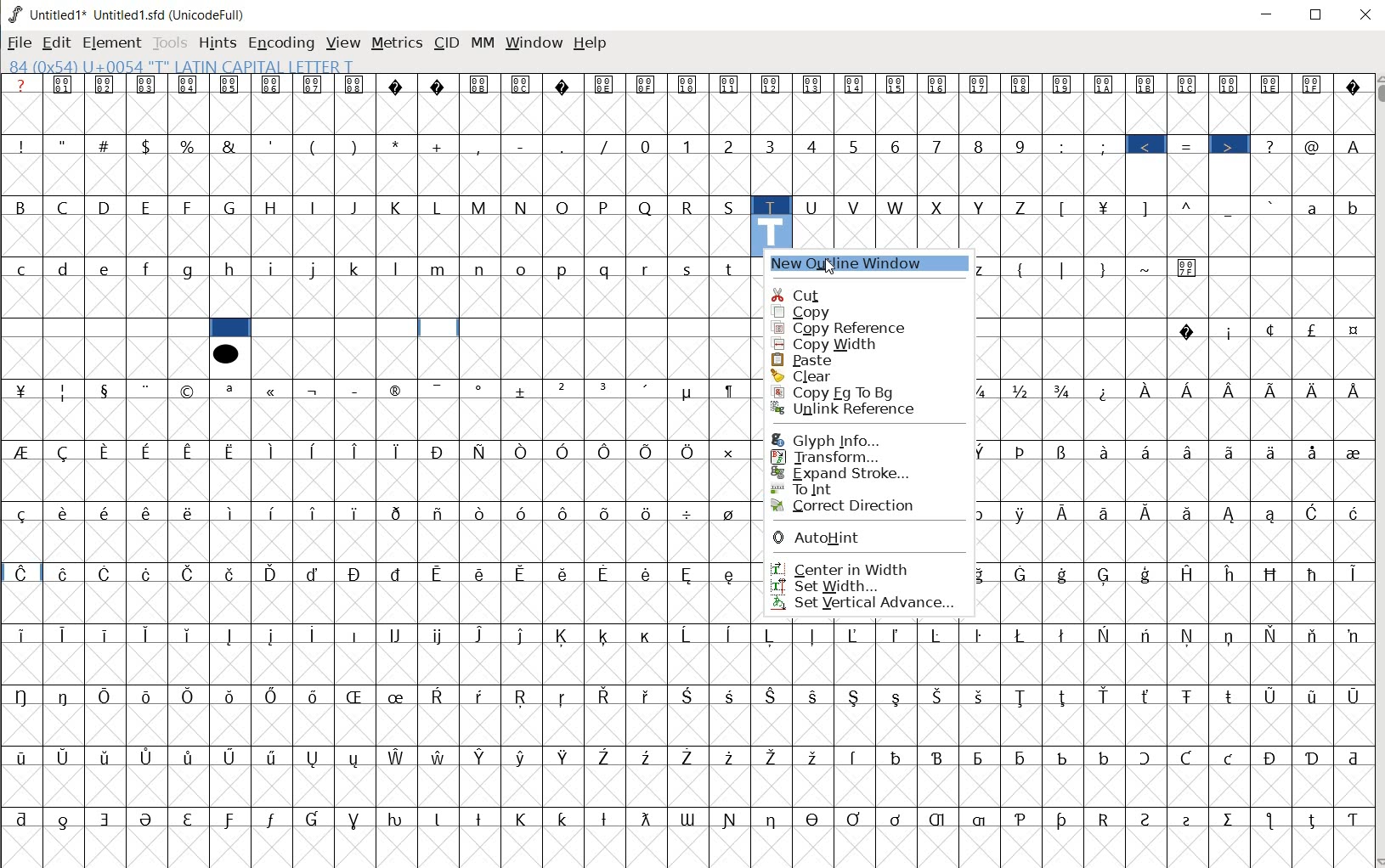 The image size is (1385, 868). I want to click on Symbol, so click(564, 391).